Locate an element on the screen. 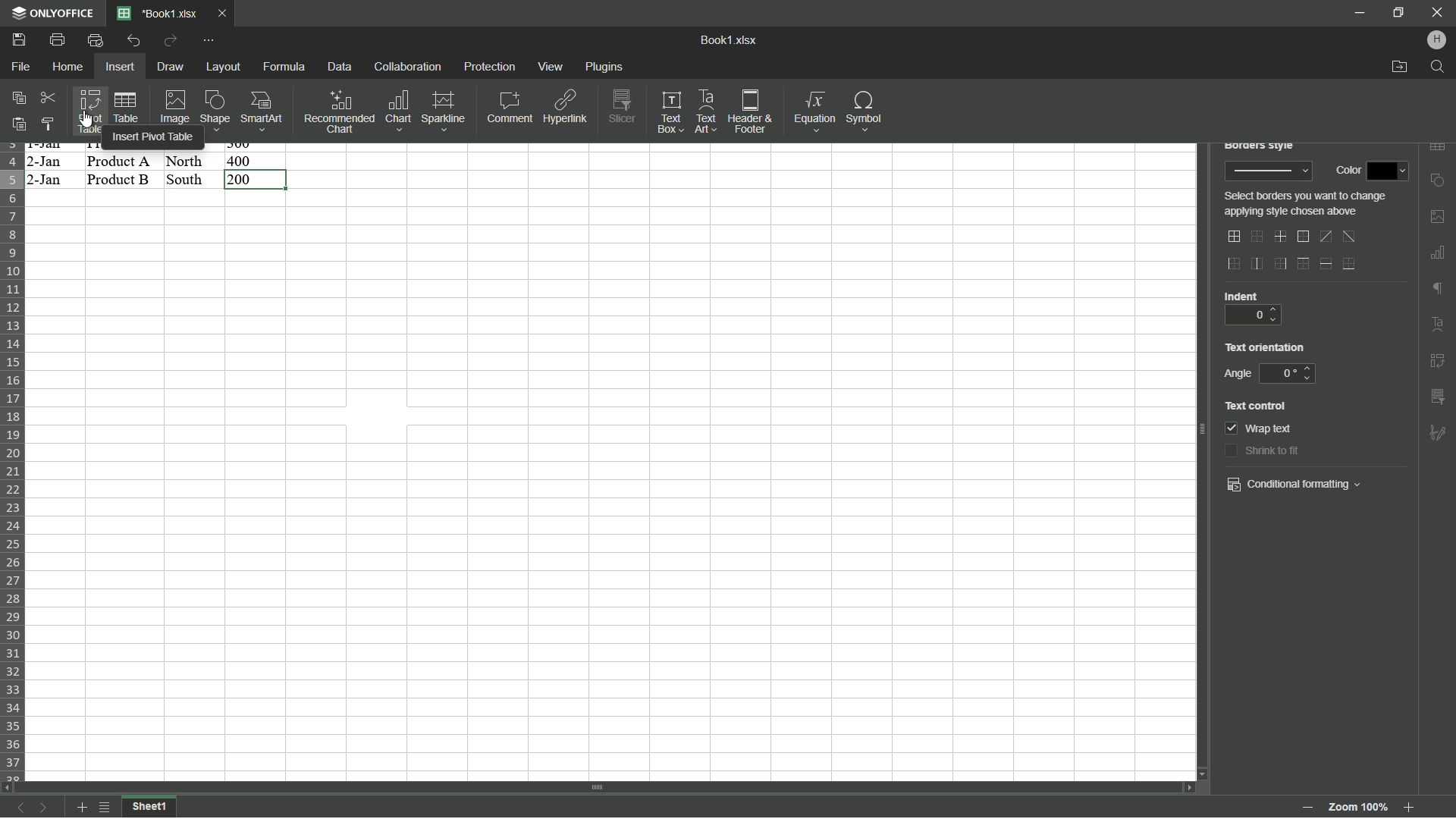  scroll bar is located at coordinates (599, 786).